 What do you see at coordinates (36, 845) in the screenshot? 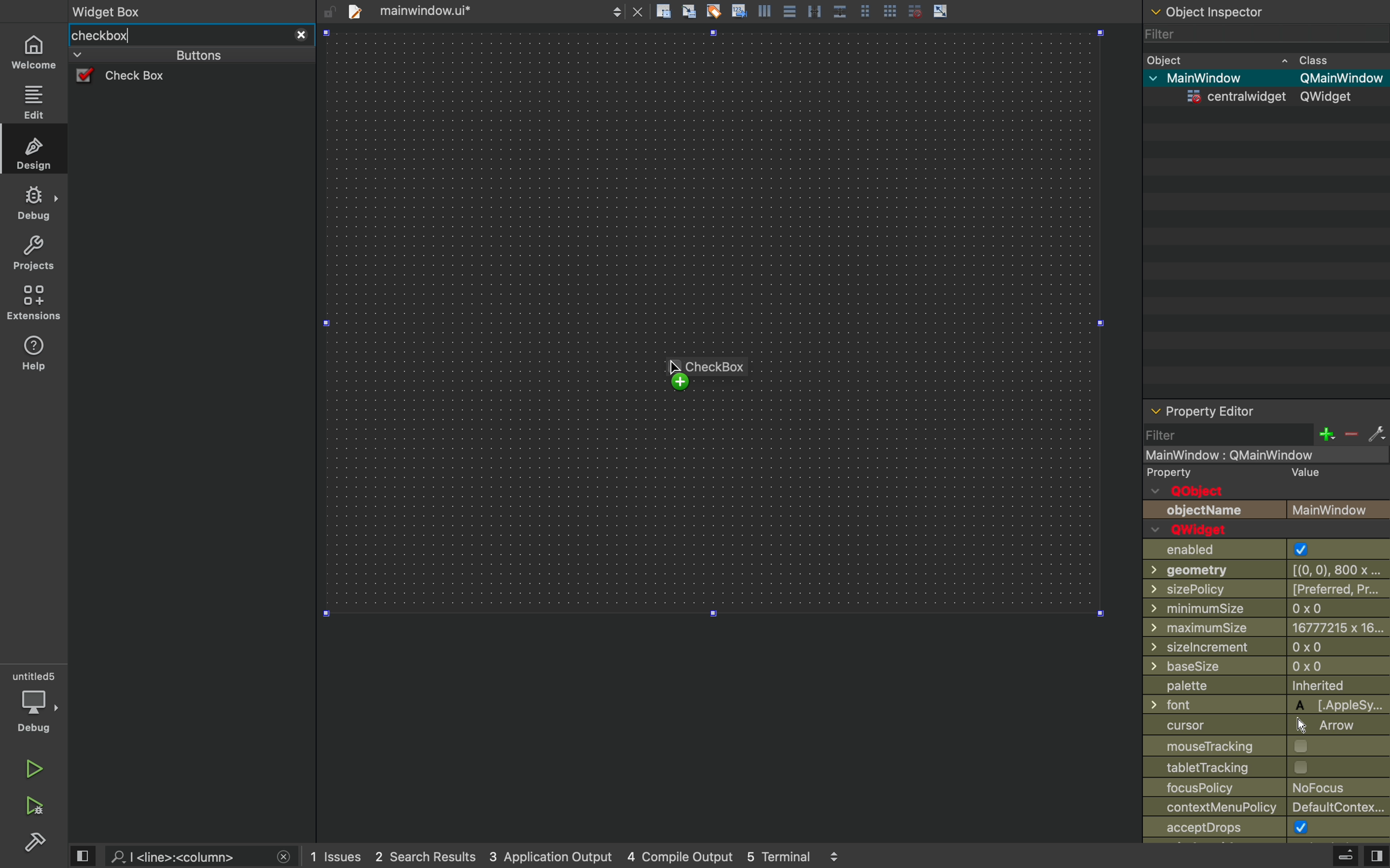
I see `build` at bounding box center [36, 845].